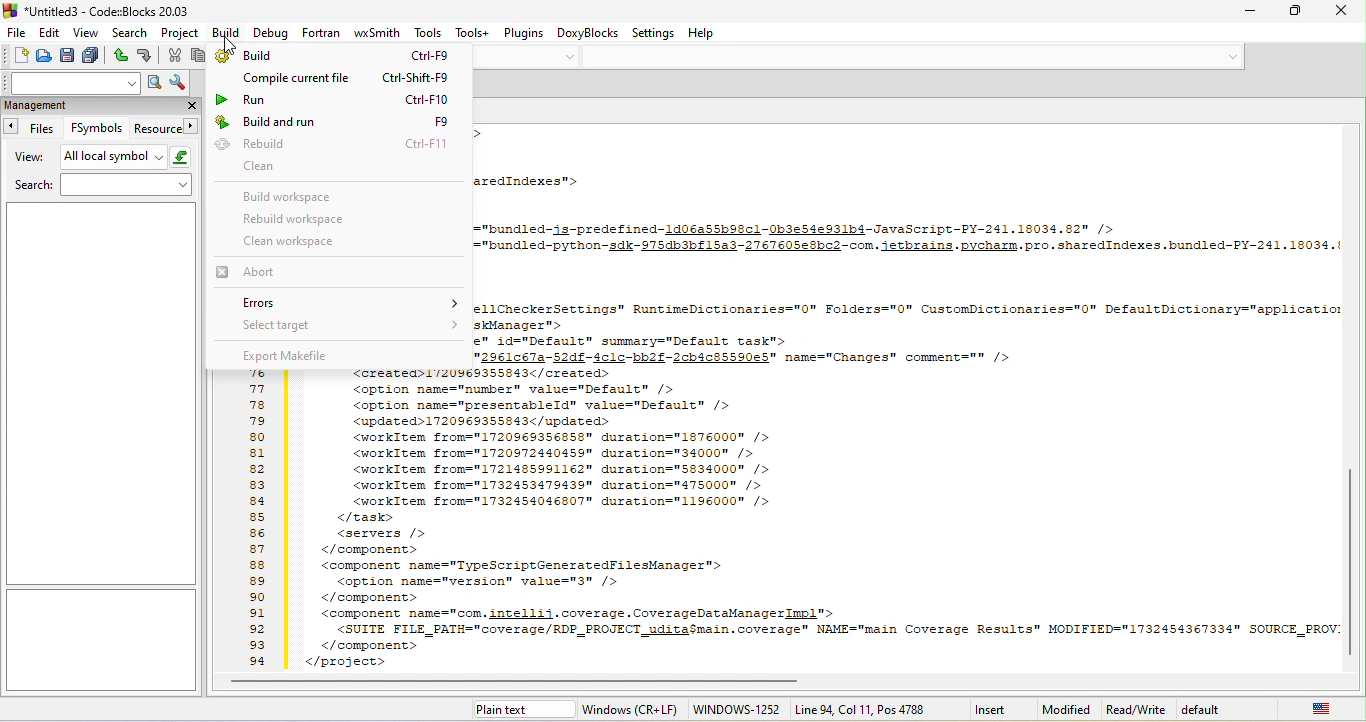 Image resolution: width=1366 pixels, height=722 pixels. What do you see at coordinates (190, 105) in the screenshot?
I see `close` at bounding box center [190, 105].